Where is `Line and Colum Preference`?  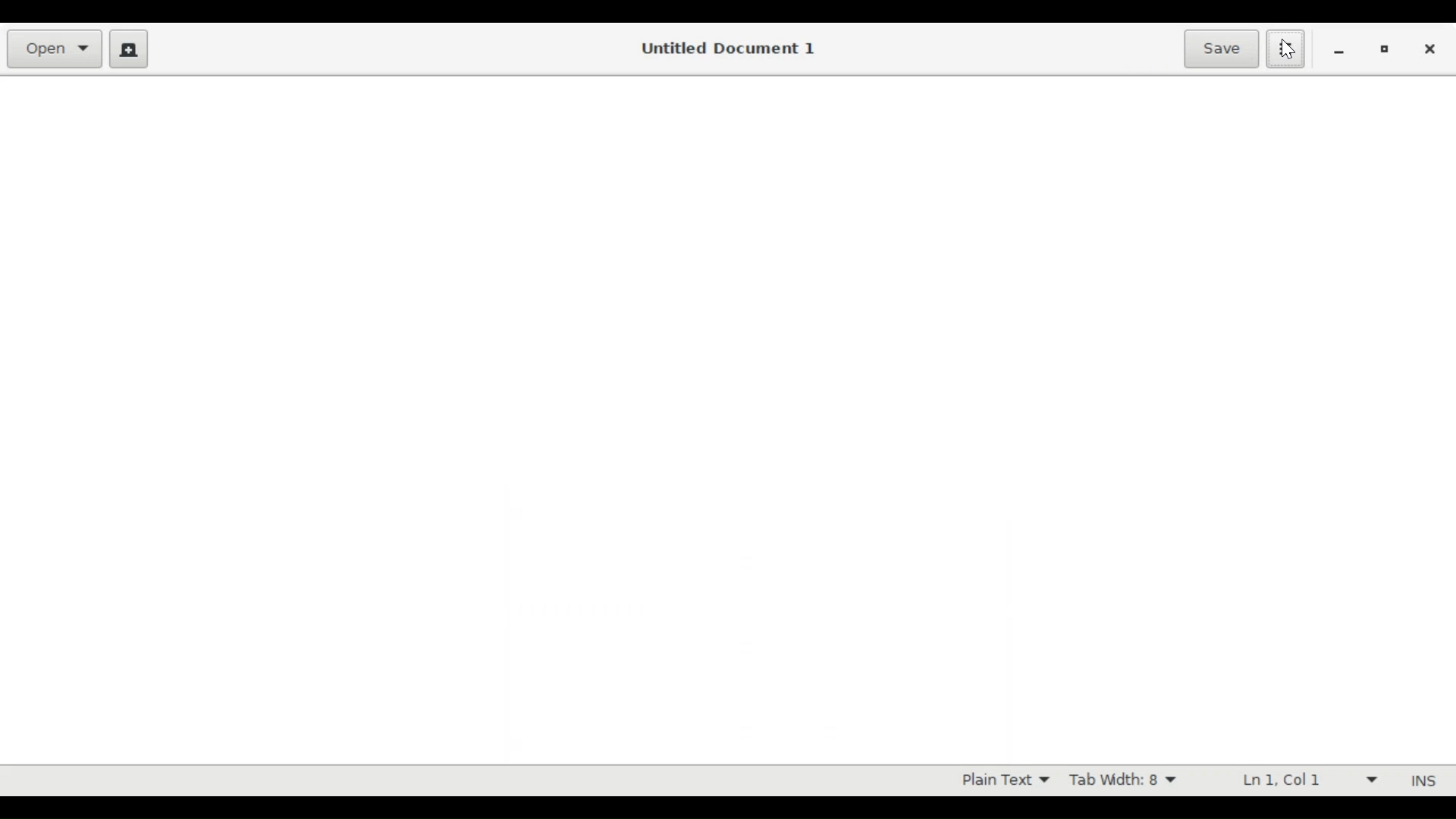 Line and Colum Preference is located at coordinates (1307, 780).